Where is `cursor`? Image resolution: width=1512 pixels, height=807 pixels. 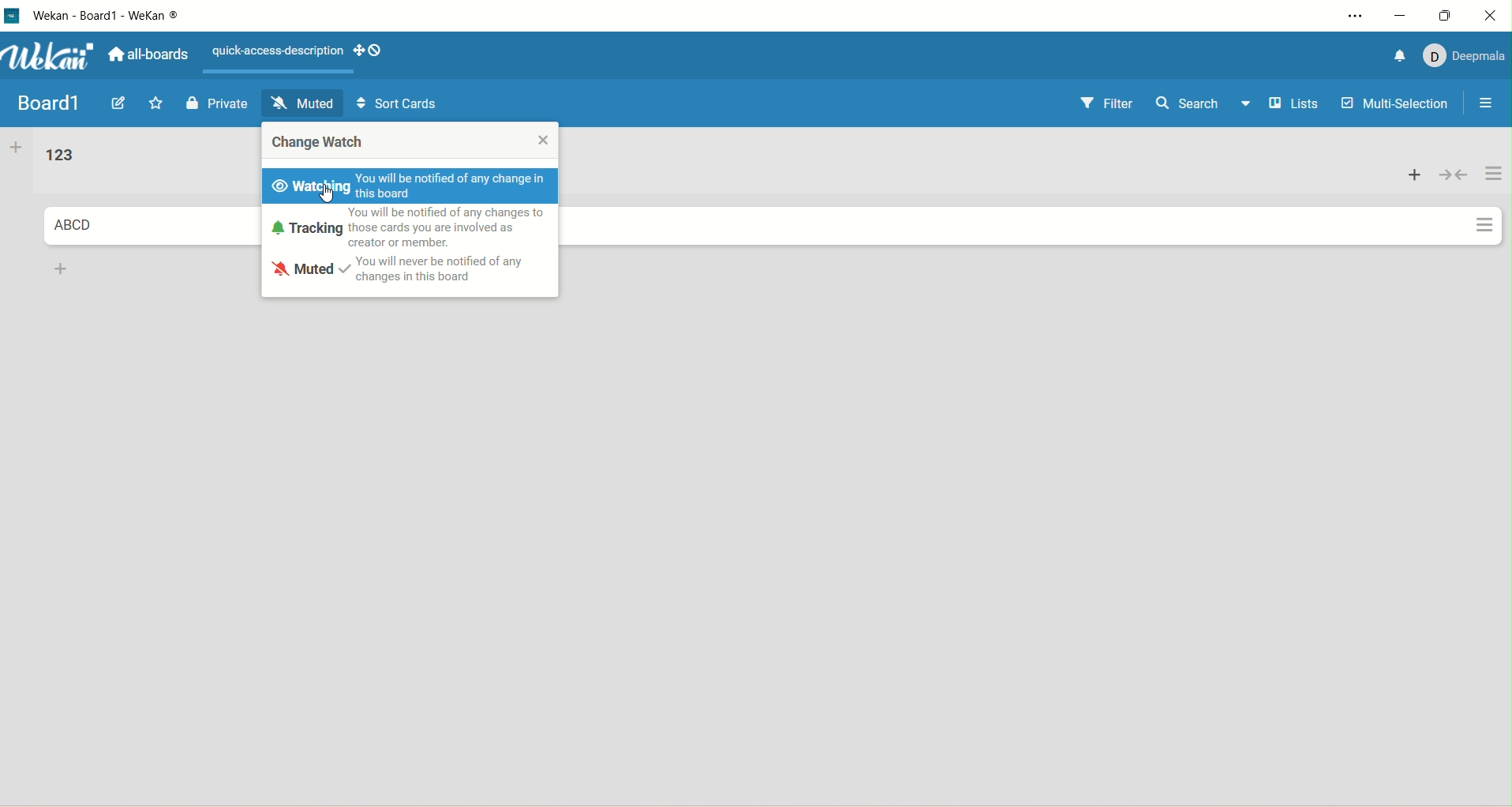 cursor is located at coordinates (330, 197).